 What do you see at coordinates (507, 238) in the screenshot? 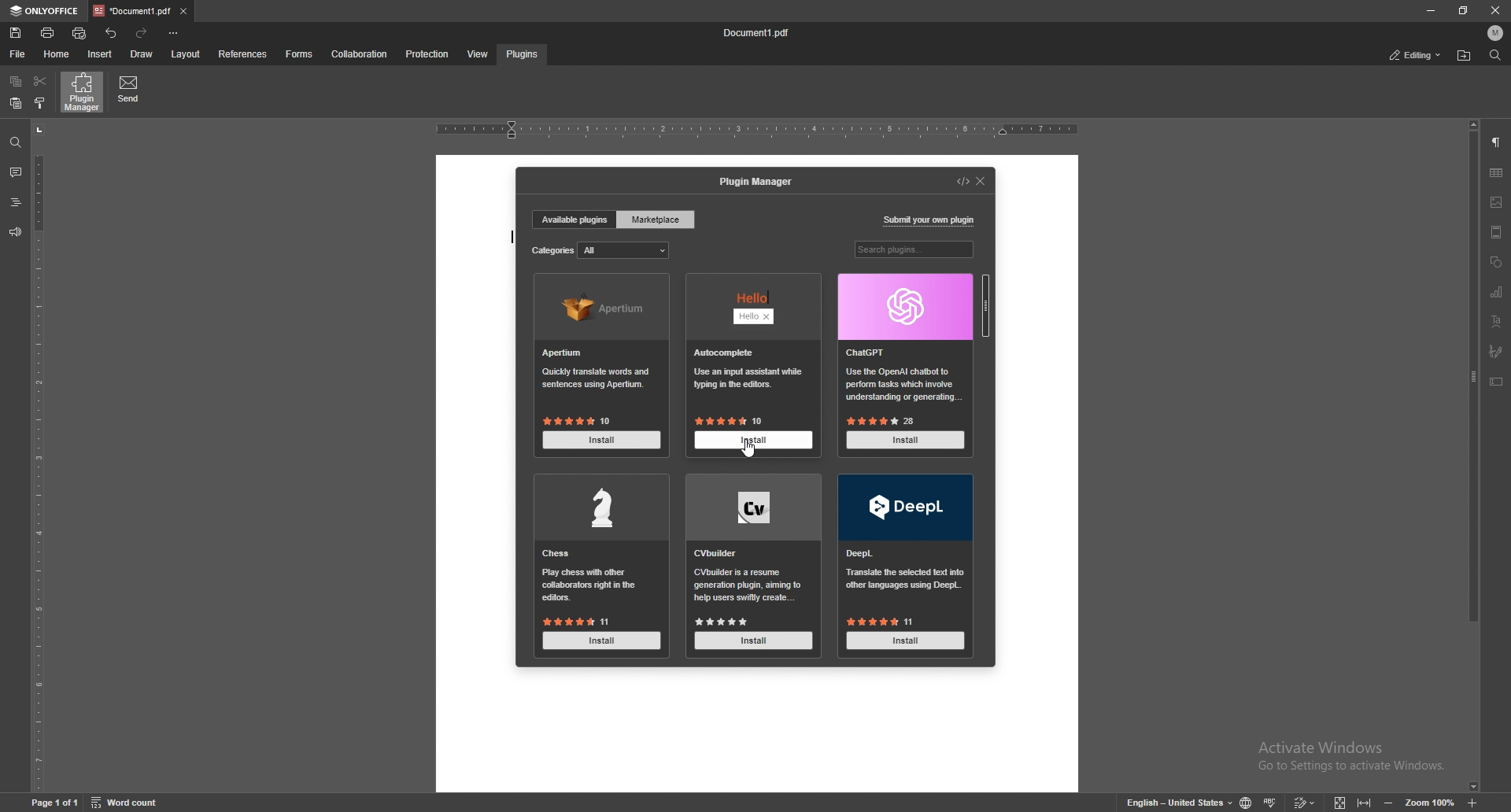
I see `type` at bounding box center [507, 238].